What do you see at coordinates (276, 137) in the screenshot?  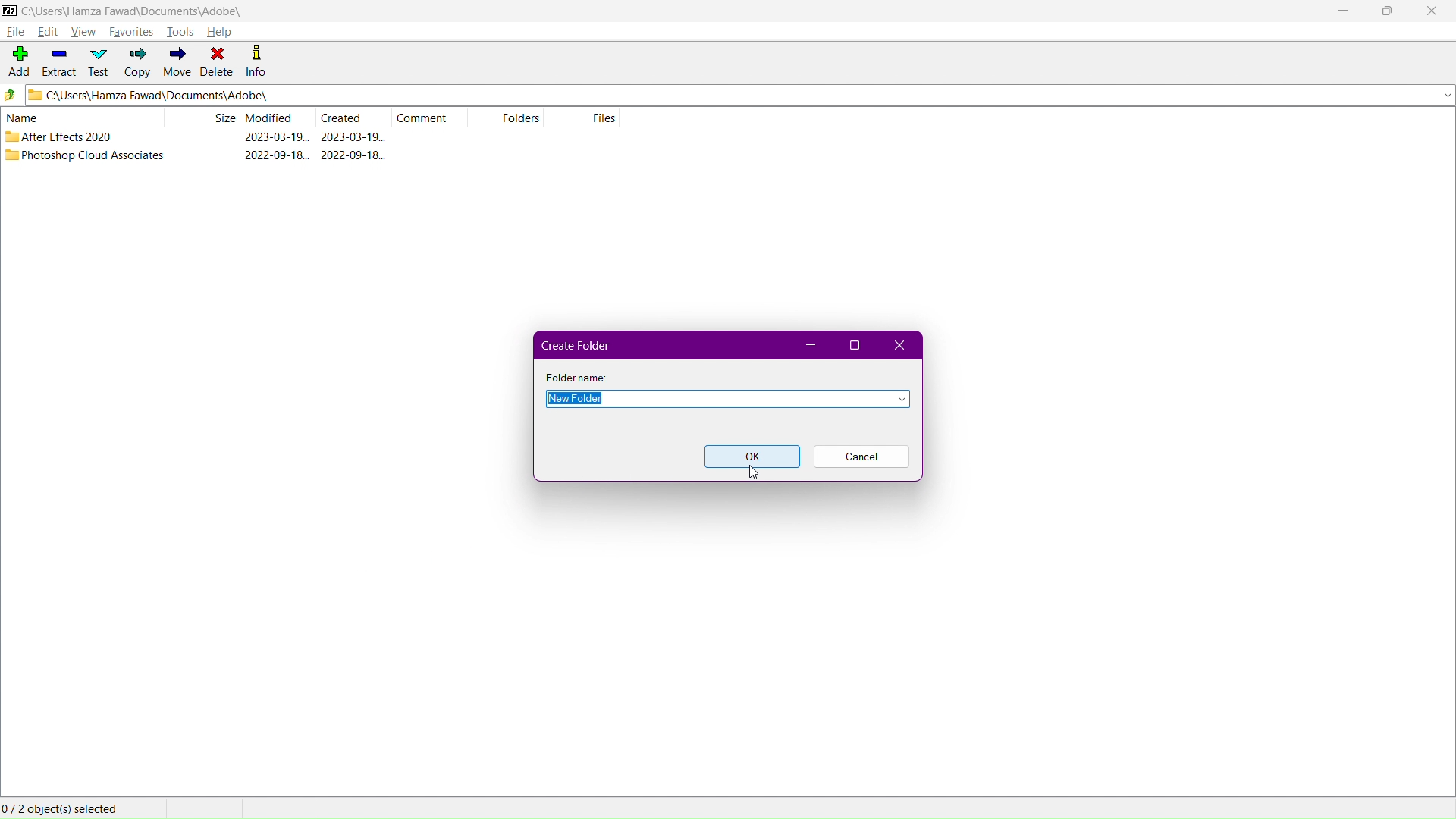 I see `modified date & time` at bounding box center [276, 137].